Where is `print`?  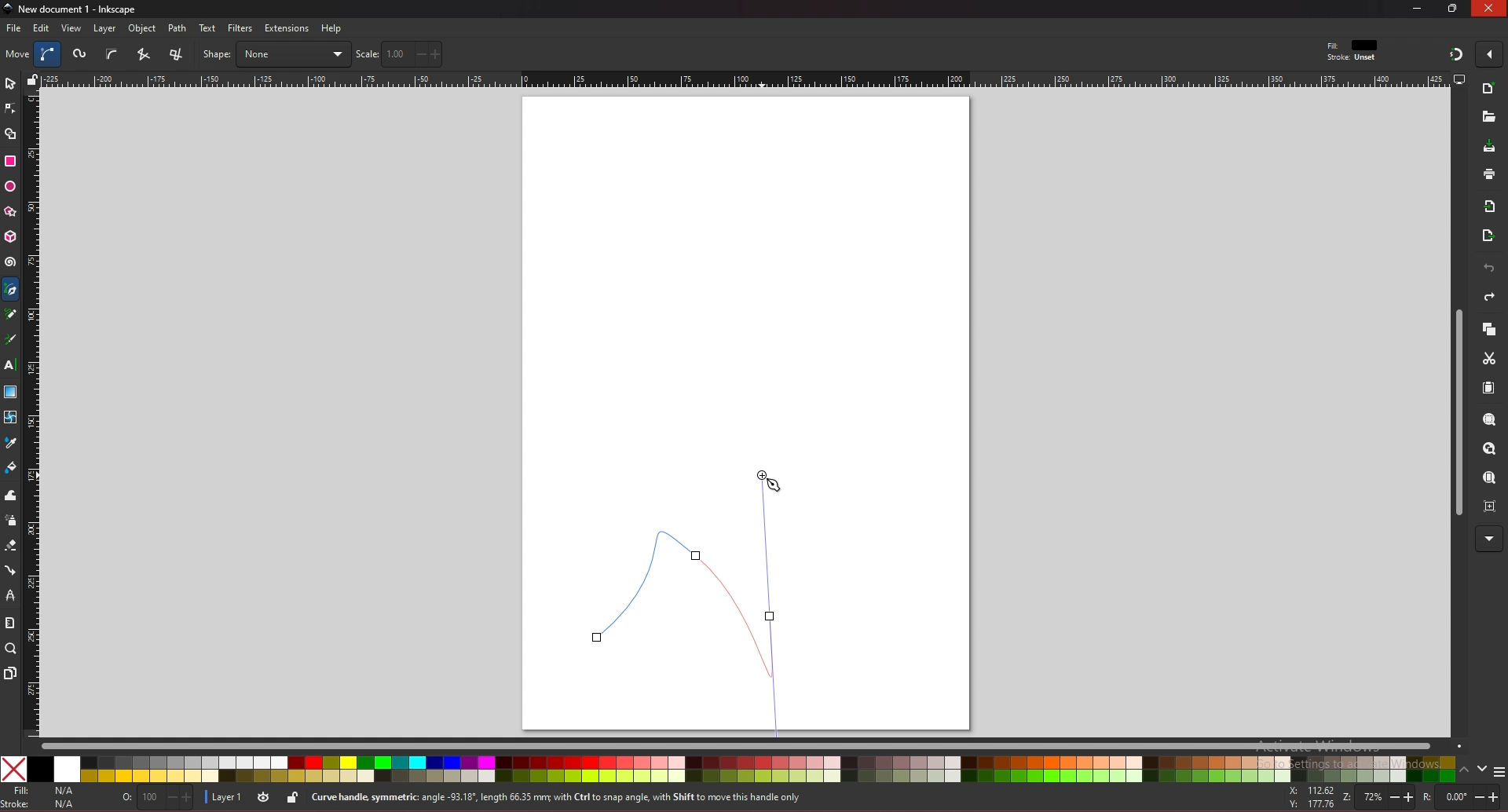
print is located at coordinates (1489, 174).